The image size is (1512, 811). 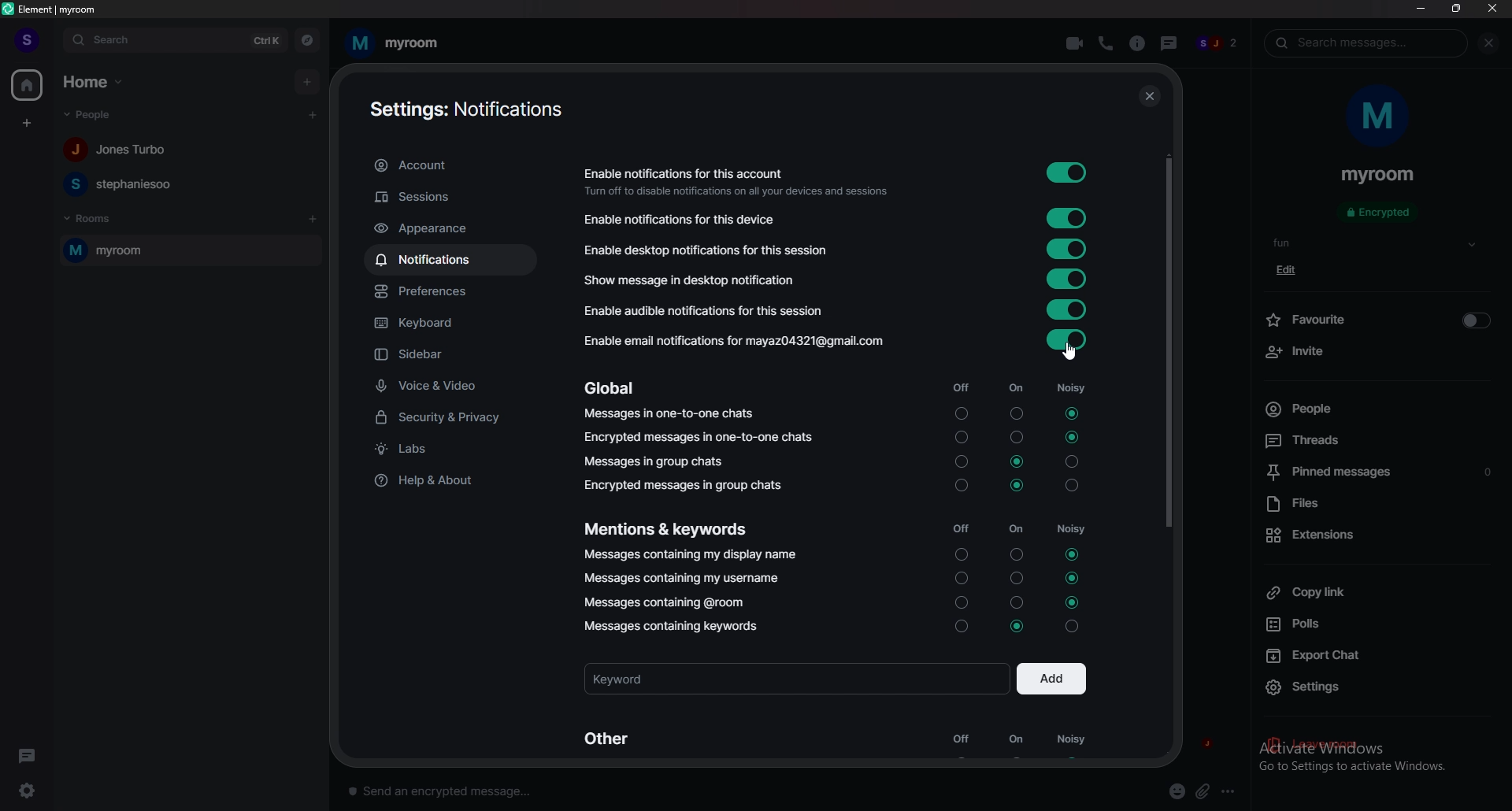 I want to click on sessions, so click(x=455, y=197).